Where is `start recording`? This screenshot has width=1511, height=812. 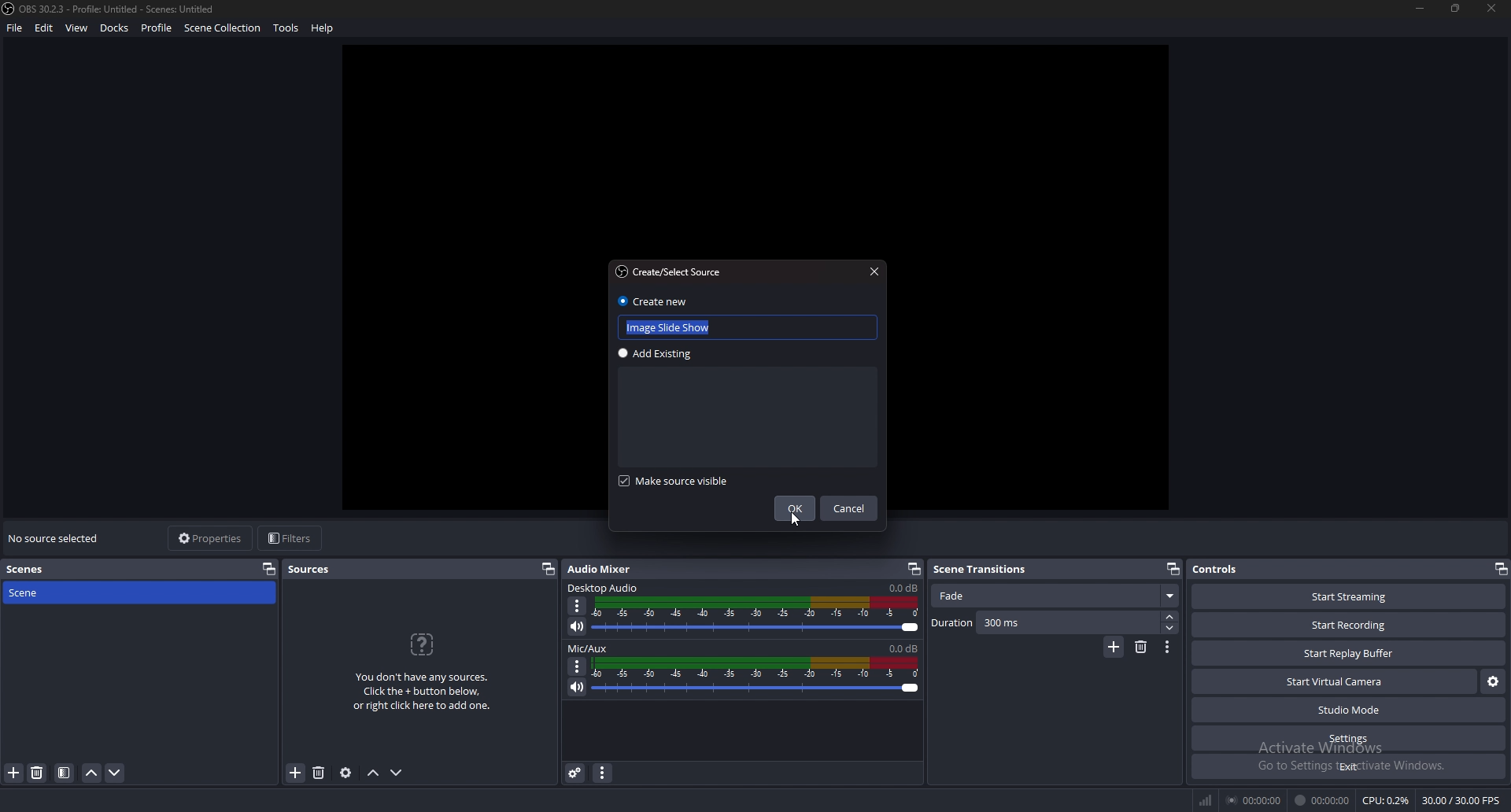
start recording is located at coordinates (1351, 624).